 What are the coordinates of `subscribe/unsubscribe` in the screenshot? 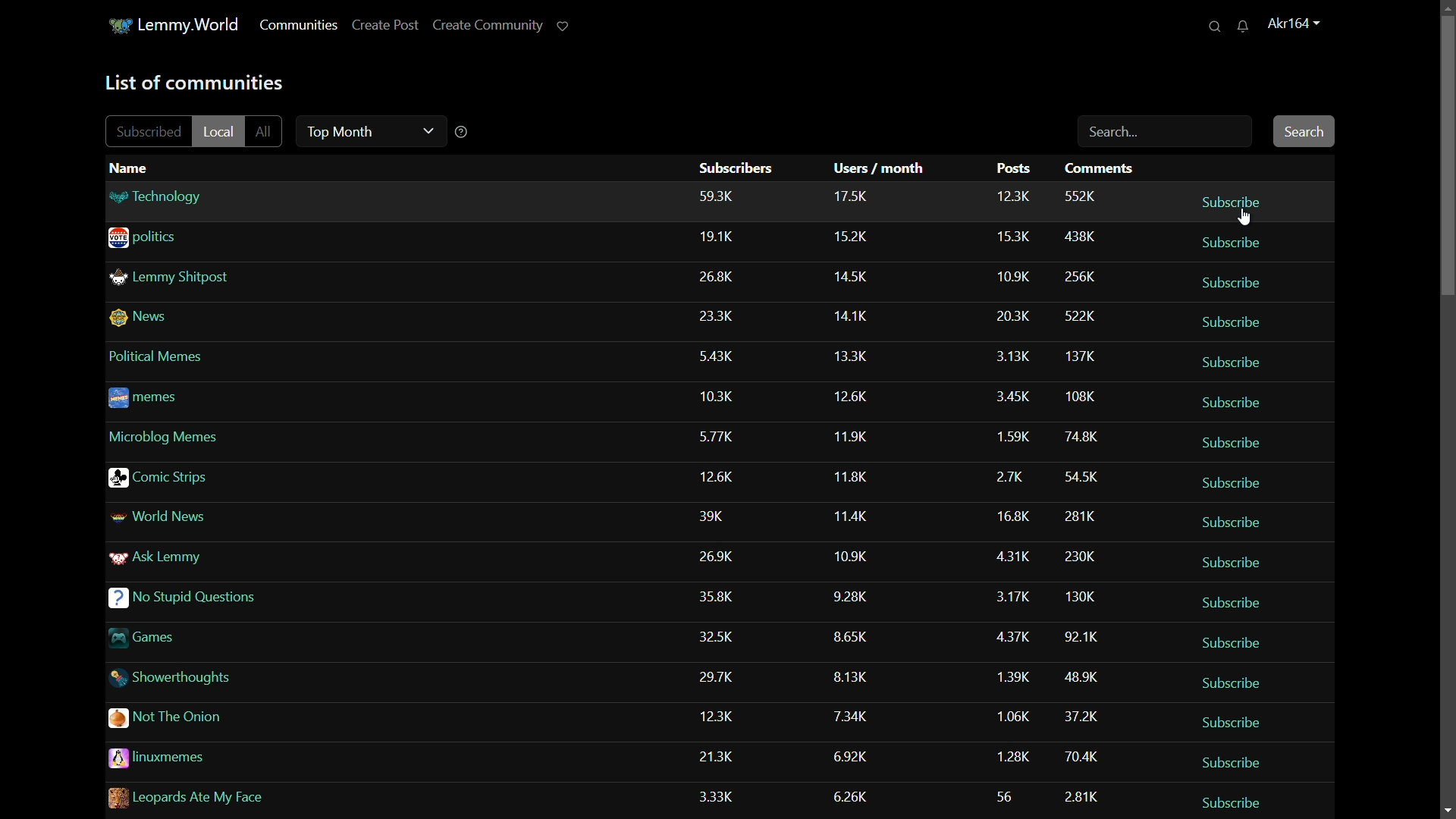 It's located at (1233, 281).